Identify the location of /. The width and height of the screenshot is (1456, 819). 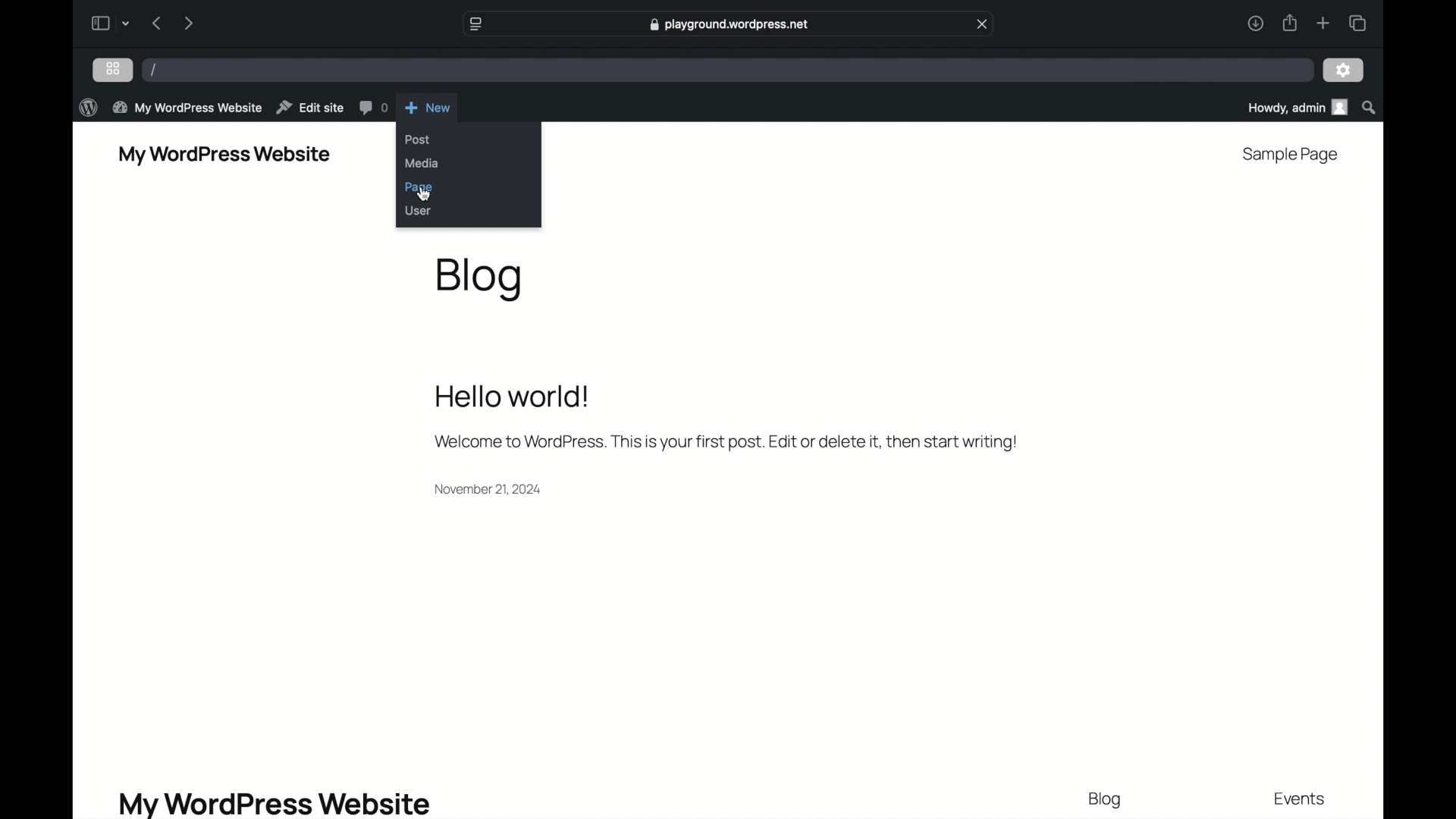
(155, 69).